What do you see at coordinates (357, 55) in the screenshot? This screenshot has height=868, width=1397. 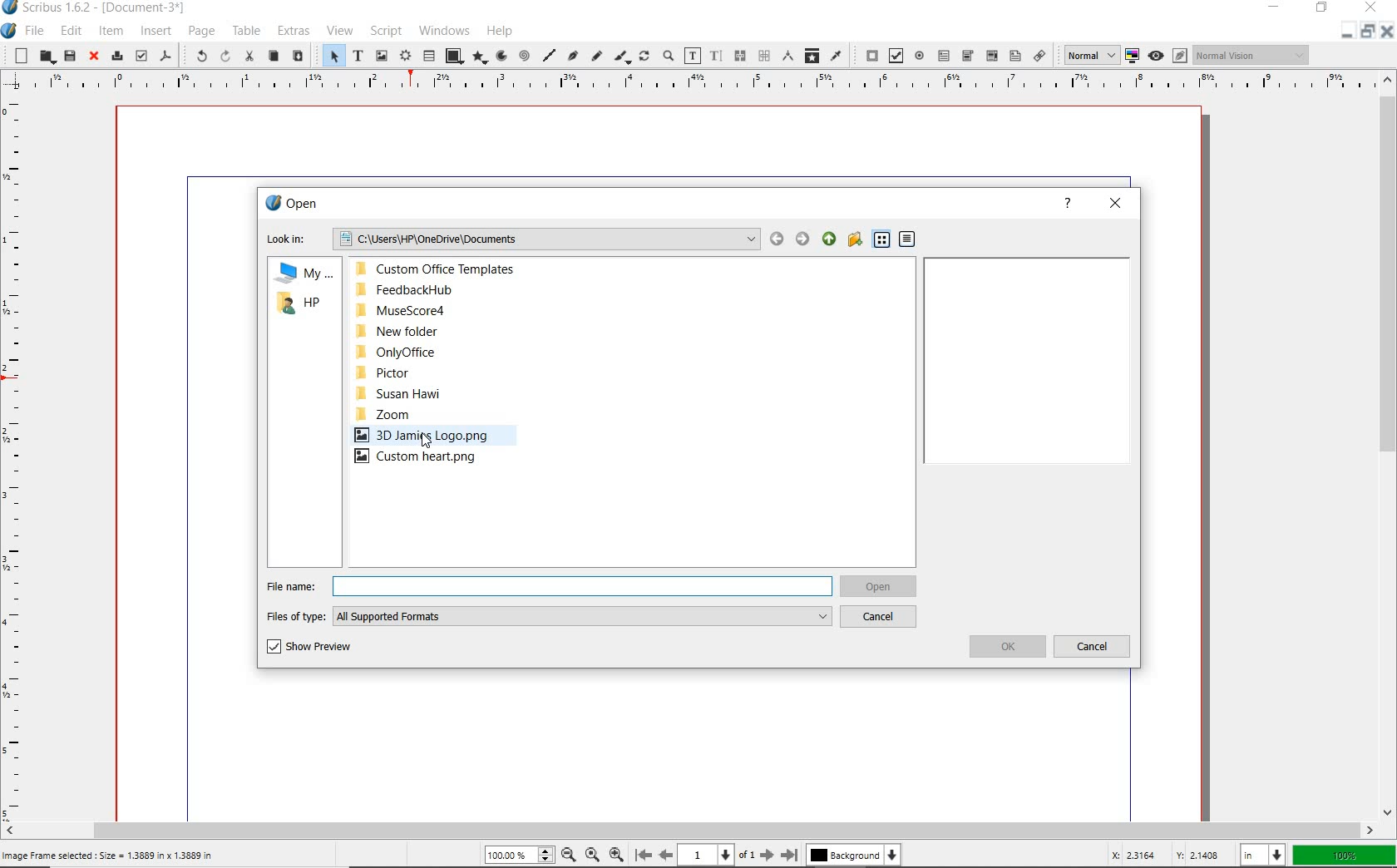 I see `text frame` at bounding box center [357, 55].